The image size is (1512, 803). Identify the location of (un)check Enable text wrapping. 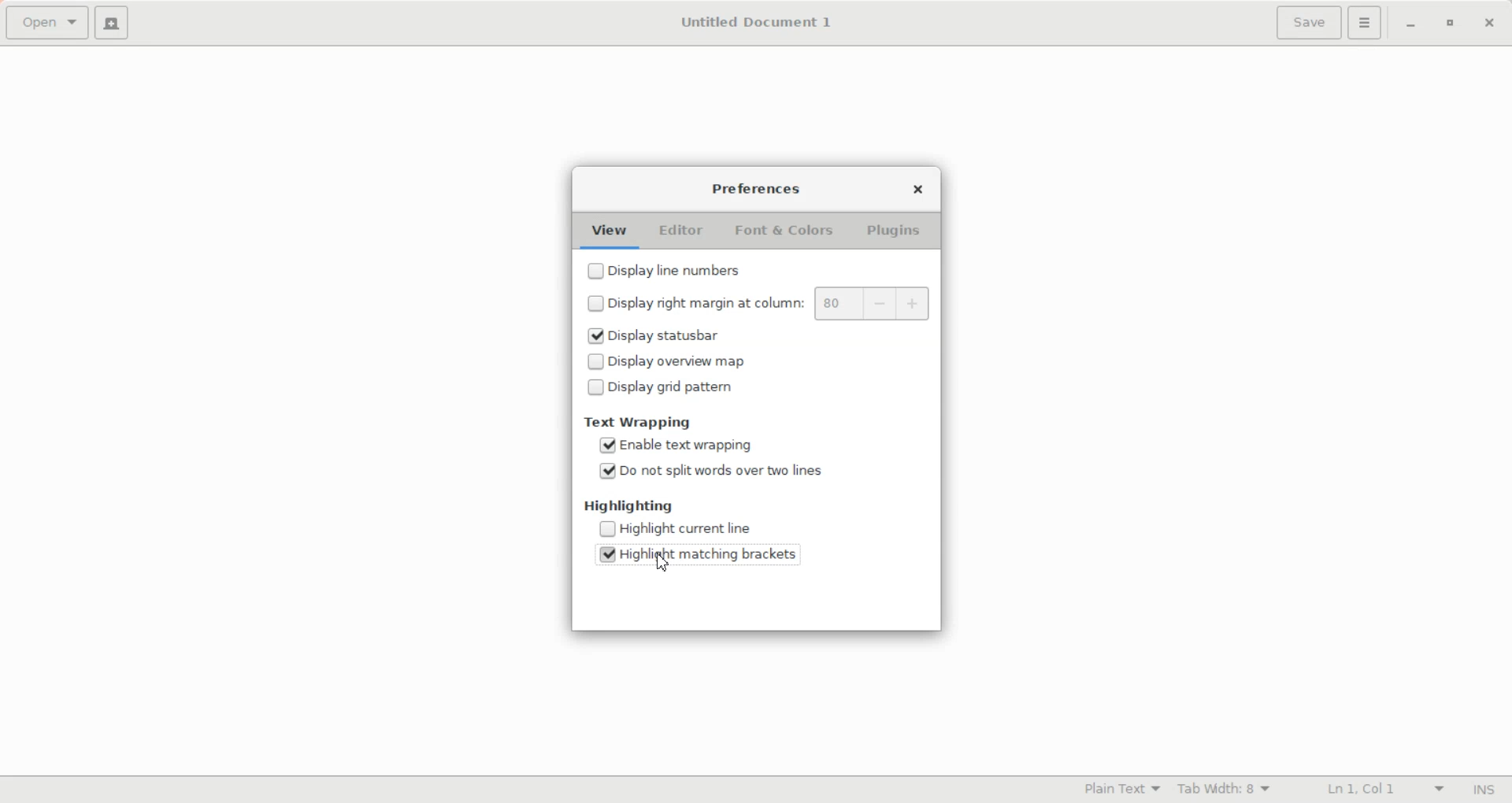
(706, 444).